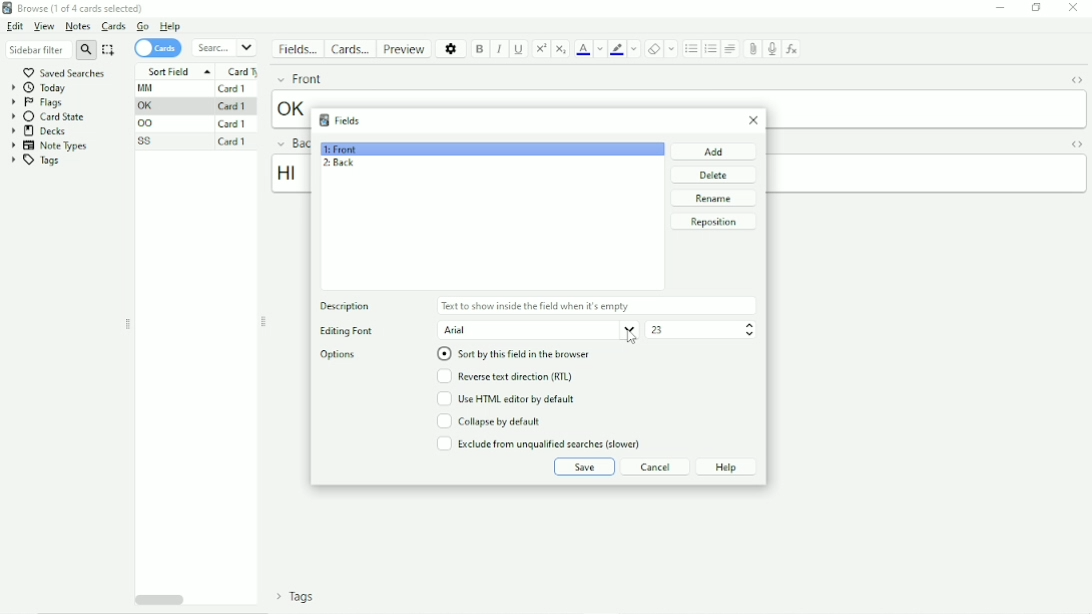 The width and height of the screenshot is (1092, 614). Describe the element at coordinates (291, 599) in the screenshot. I see `Tags` at that location.